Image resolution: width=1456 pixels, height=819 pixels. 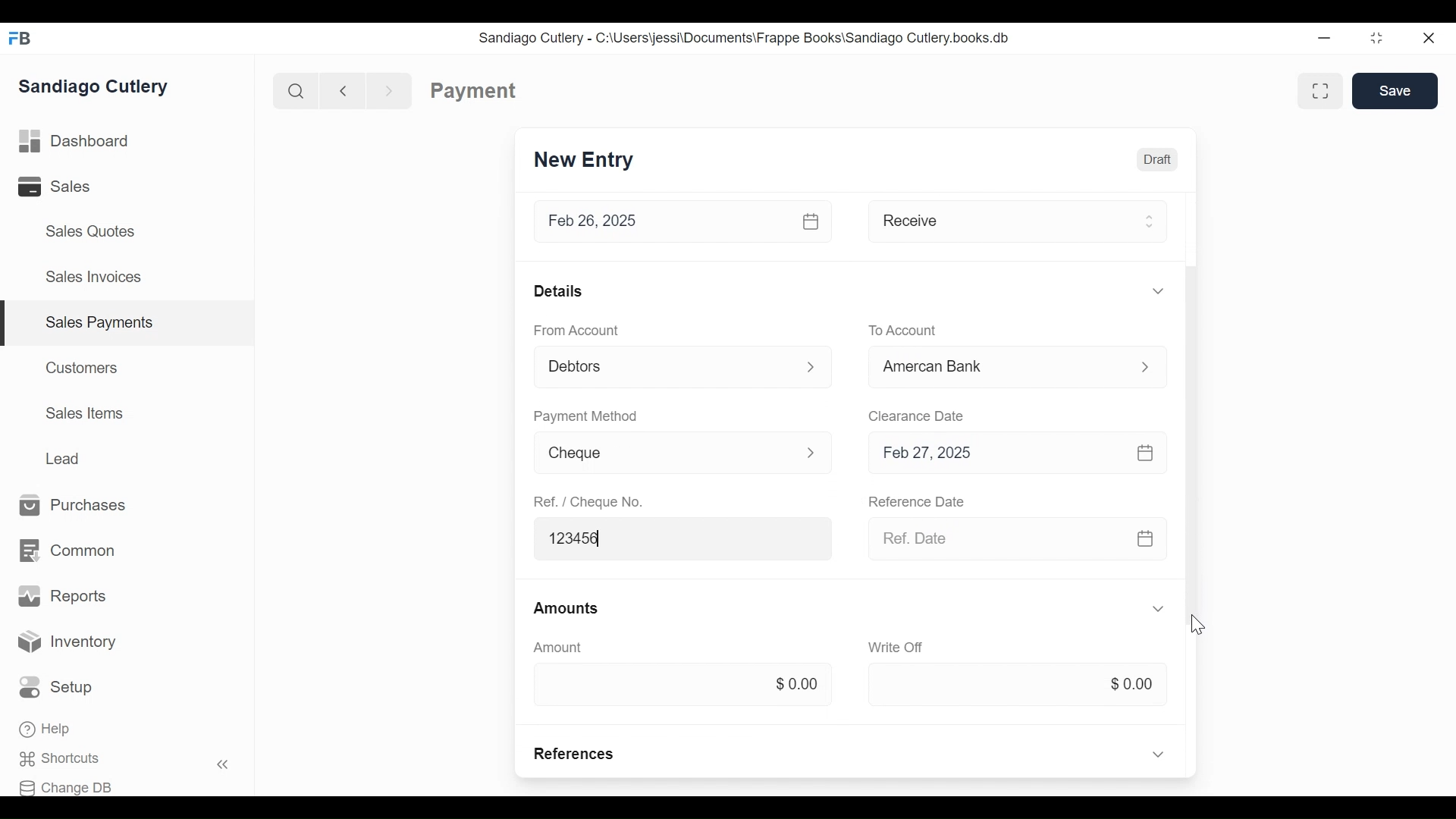 What do you see at coordinates (21, 38) in the screenshot?
I see `Frappe Books` at bounding box center [21, 38].